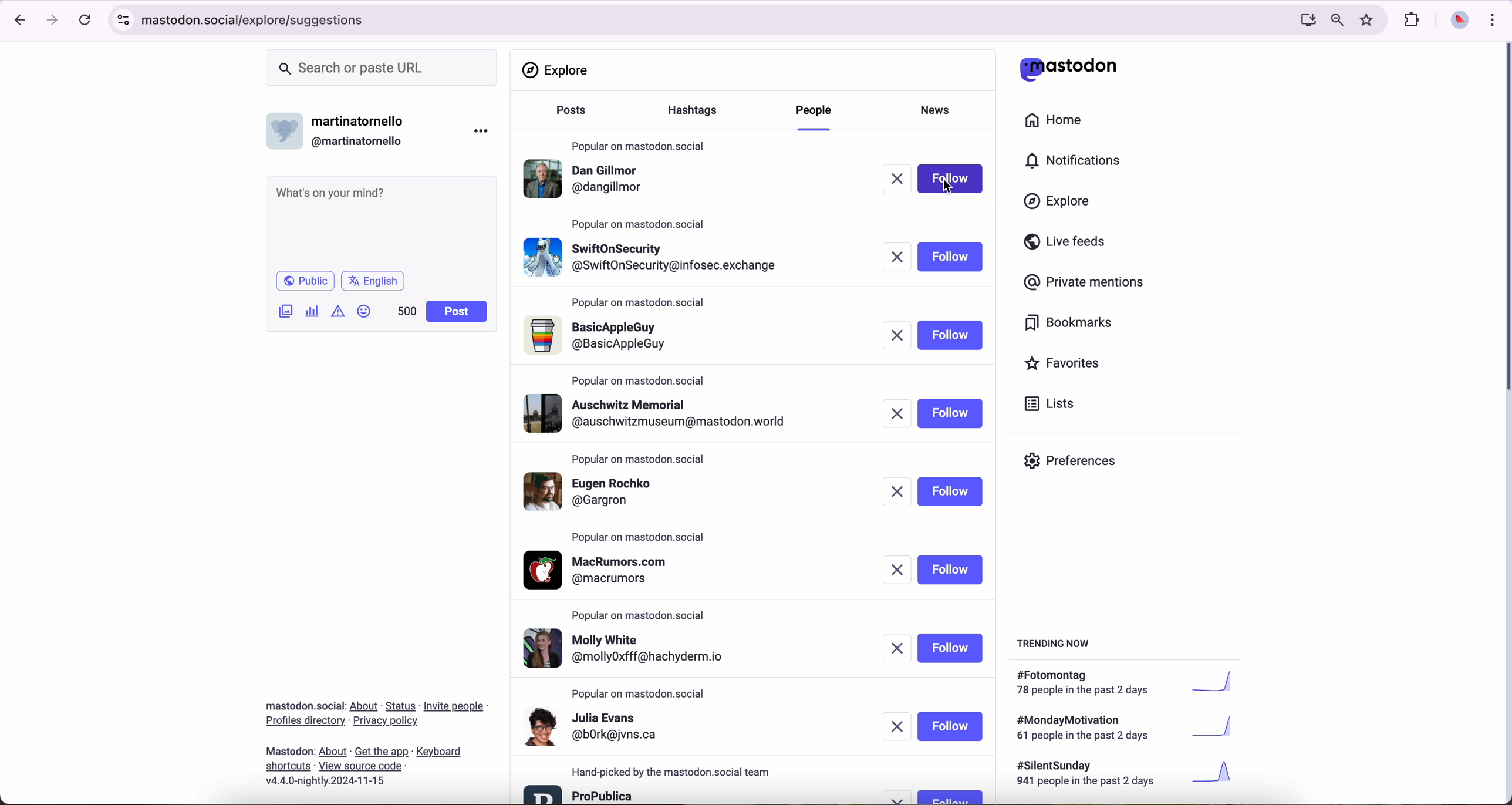 The width and height of the screenshot is (1512, 805). I want to click on follow button, so click(950, 796).